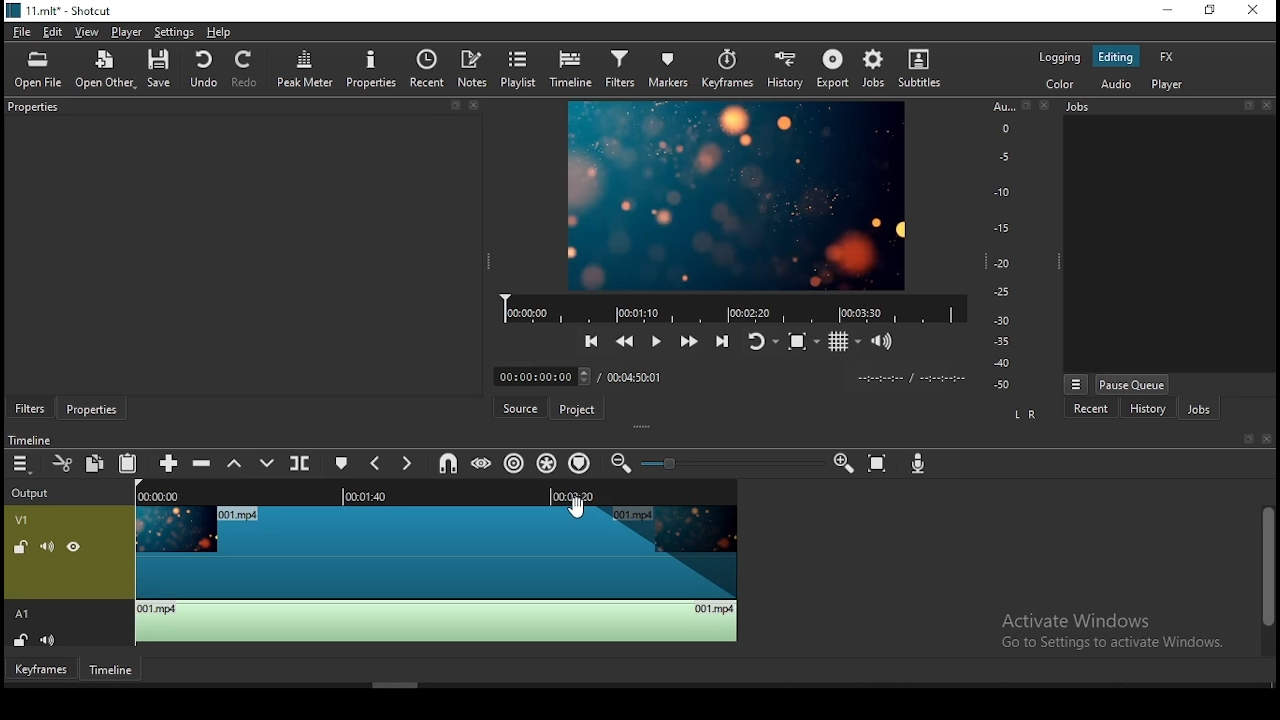  Describe the element at coordinates (29, 406) in the screenshot. I see `filters` at that location.